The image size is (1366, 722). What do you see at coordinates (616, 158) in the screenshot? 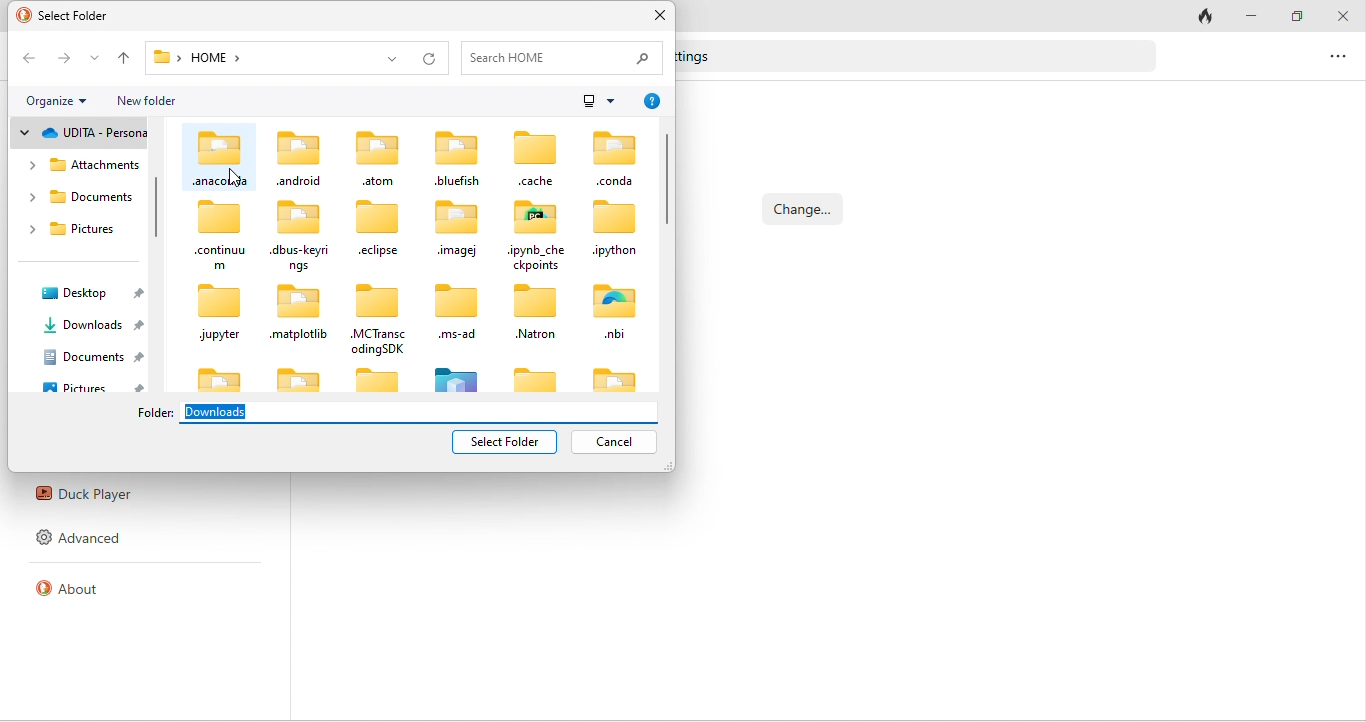
I see `.conda` at bounding box center [616, 158].